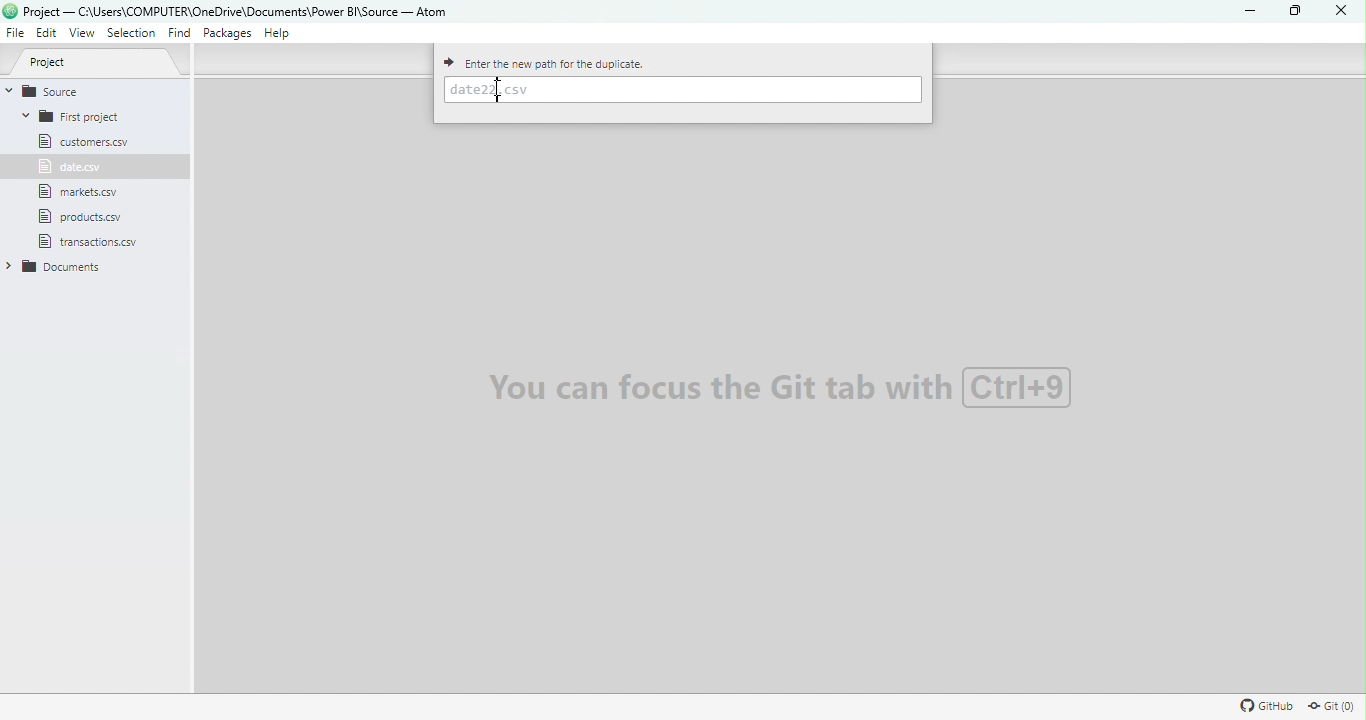 Image resolution: width=1366 pixels, height=720 pixels. Describe the element at coordinates (47, 34) in the screenshot. I see `Edit` at that location.